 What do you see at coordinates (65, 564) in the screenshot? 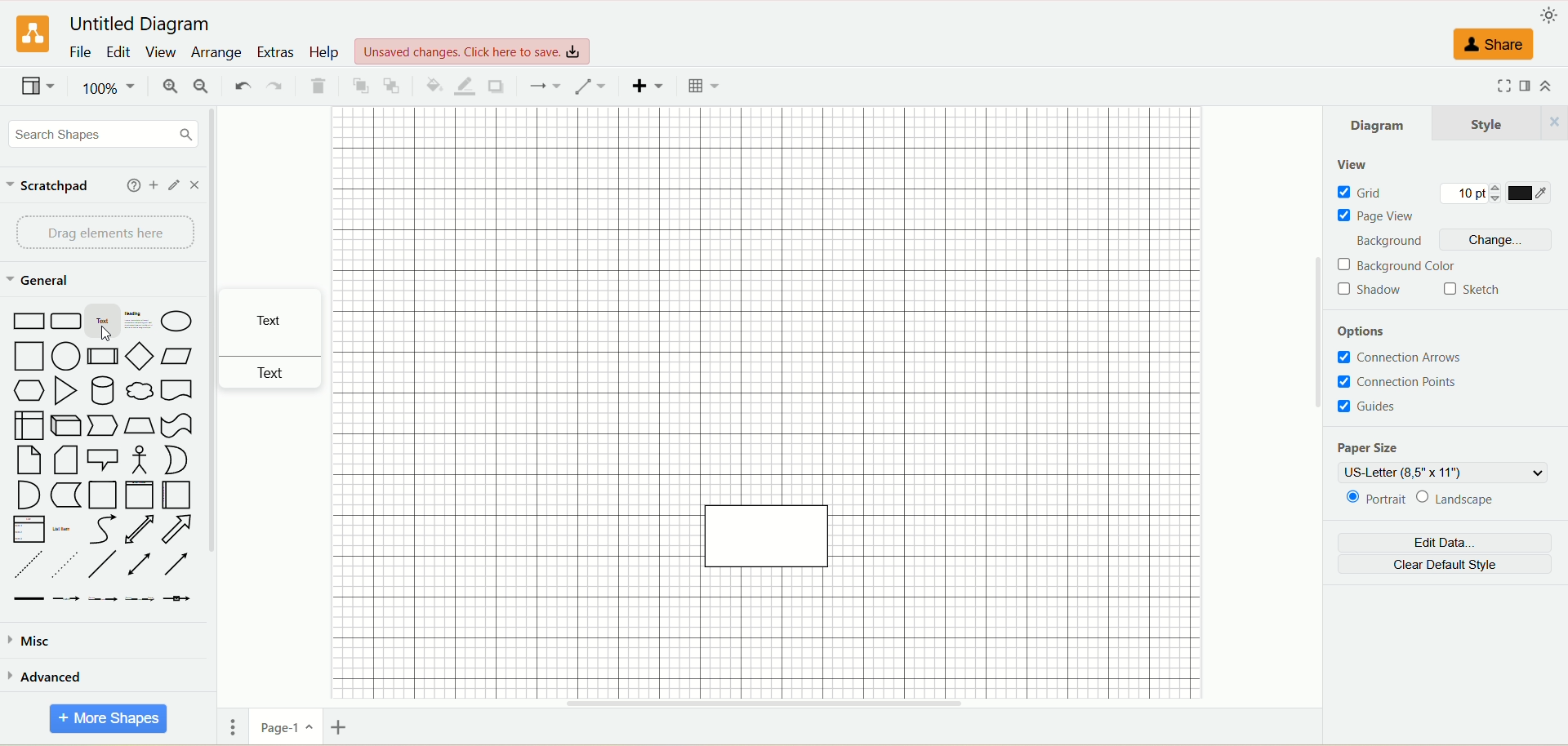
I see `dotted line` at bounding box center [65, 564].